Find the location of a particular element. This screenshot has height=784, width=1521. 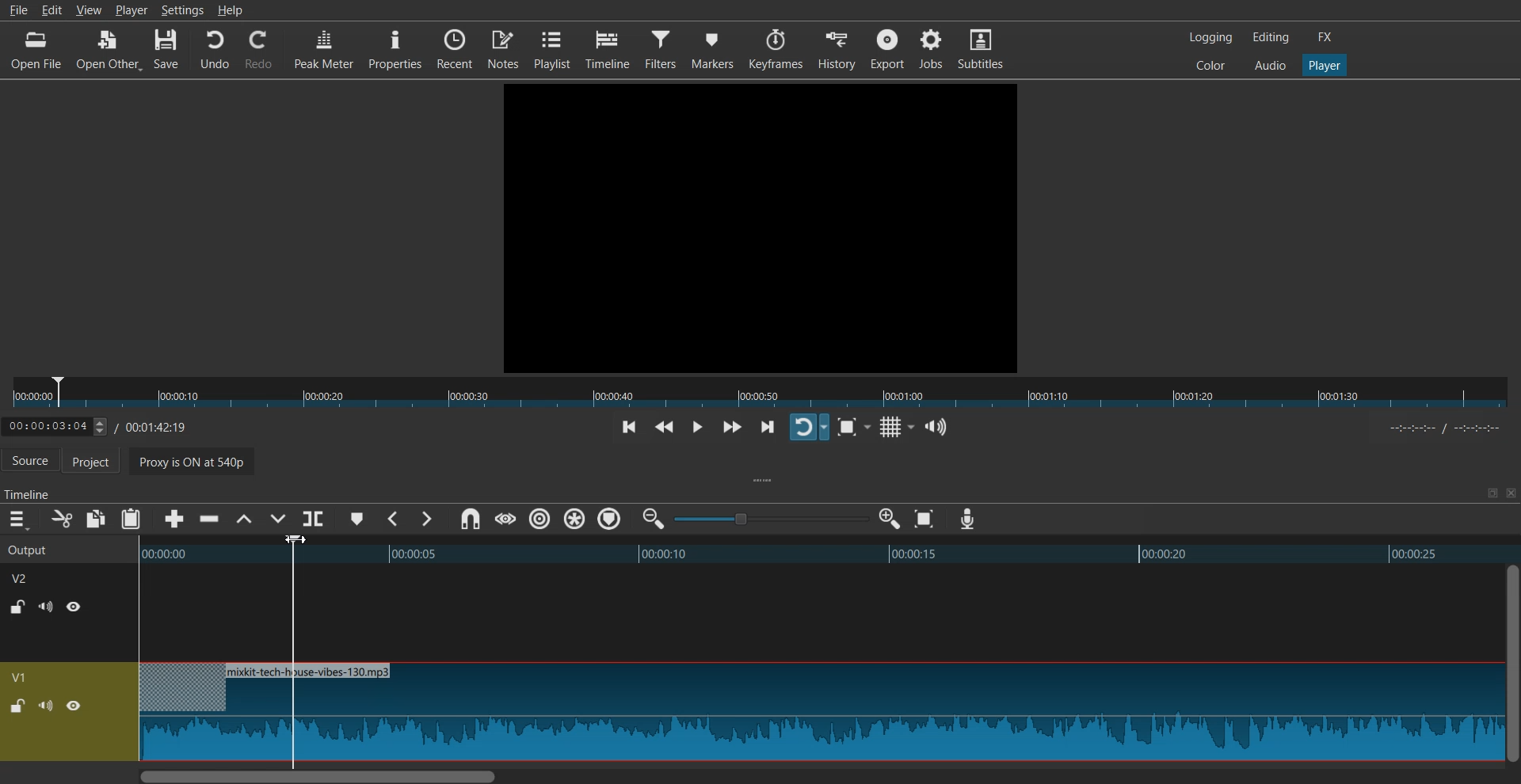

Open Other is located at coordinates (109, 51).